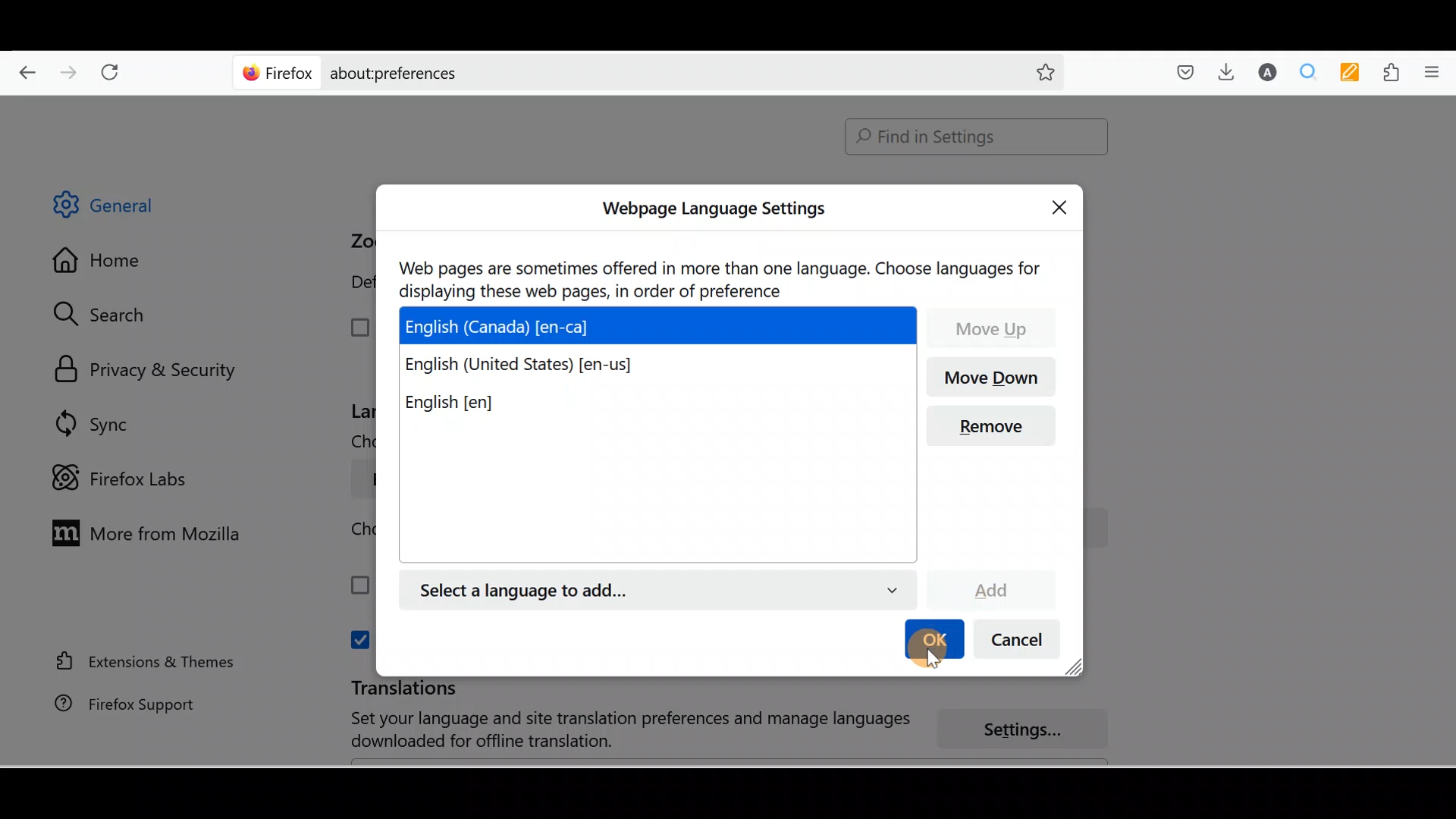 The image size is (1456, 819). What do you see at coordinates (723, 278) in the screenshot?
I see `Web pages are sometimes offered in more than one language. Choose languages for displaying these web pages, in order of preference` at bounding box center [723, 278].